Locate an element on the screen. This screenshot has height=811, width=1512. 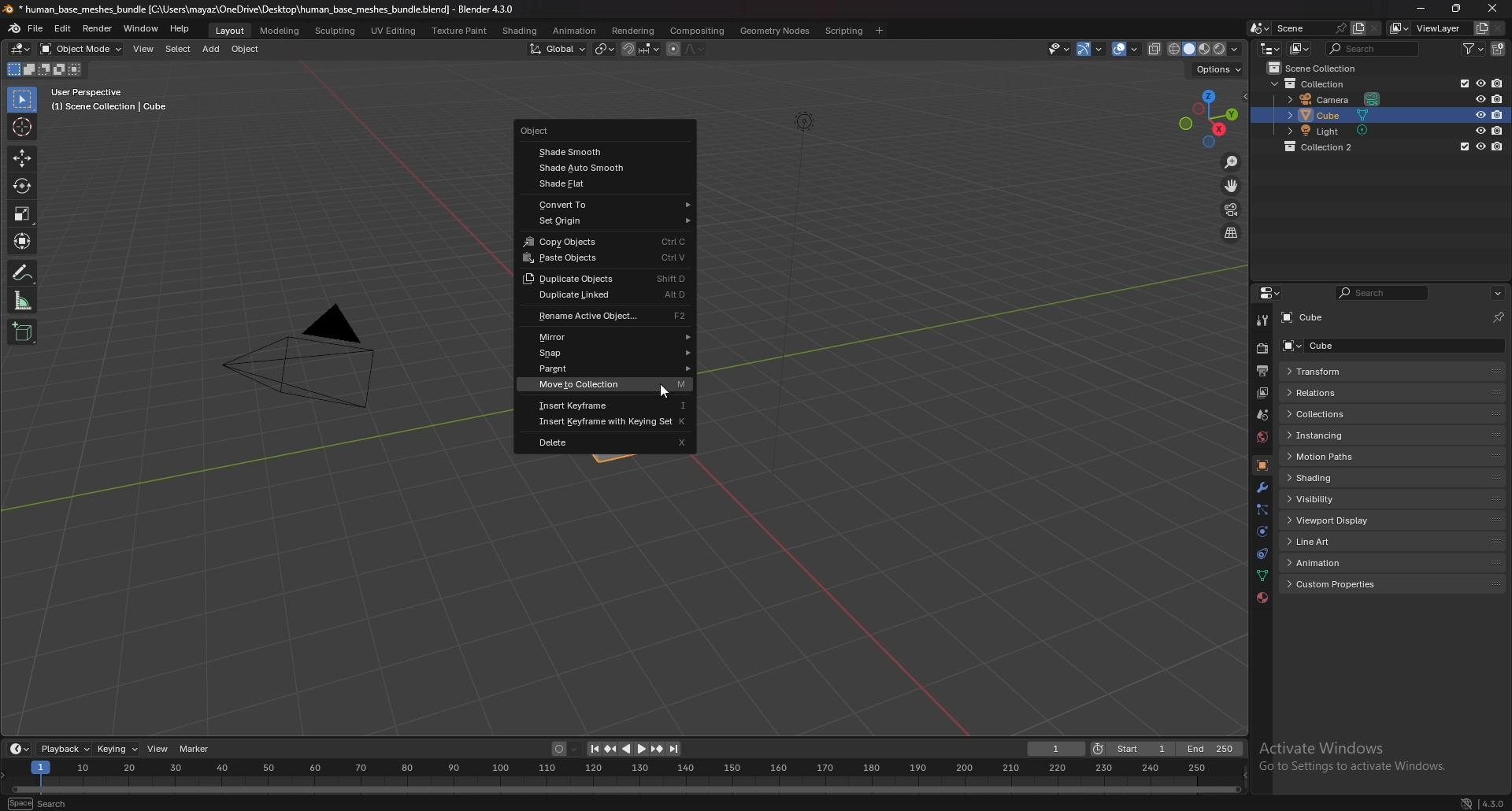
jump to endpoint is located at coordinates (676, 750).